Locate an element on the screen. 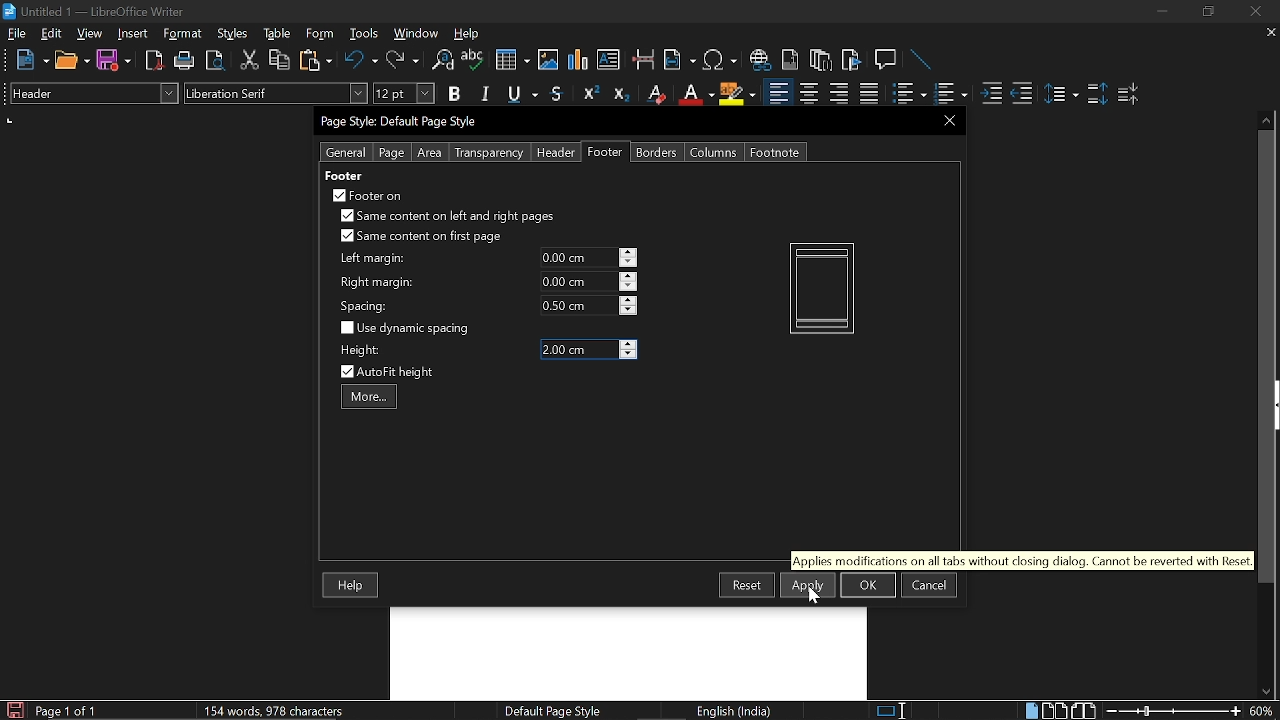  Line is located at coordinates (922, 61).